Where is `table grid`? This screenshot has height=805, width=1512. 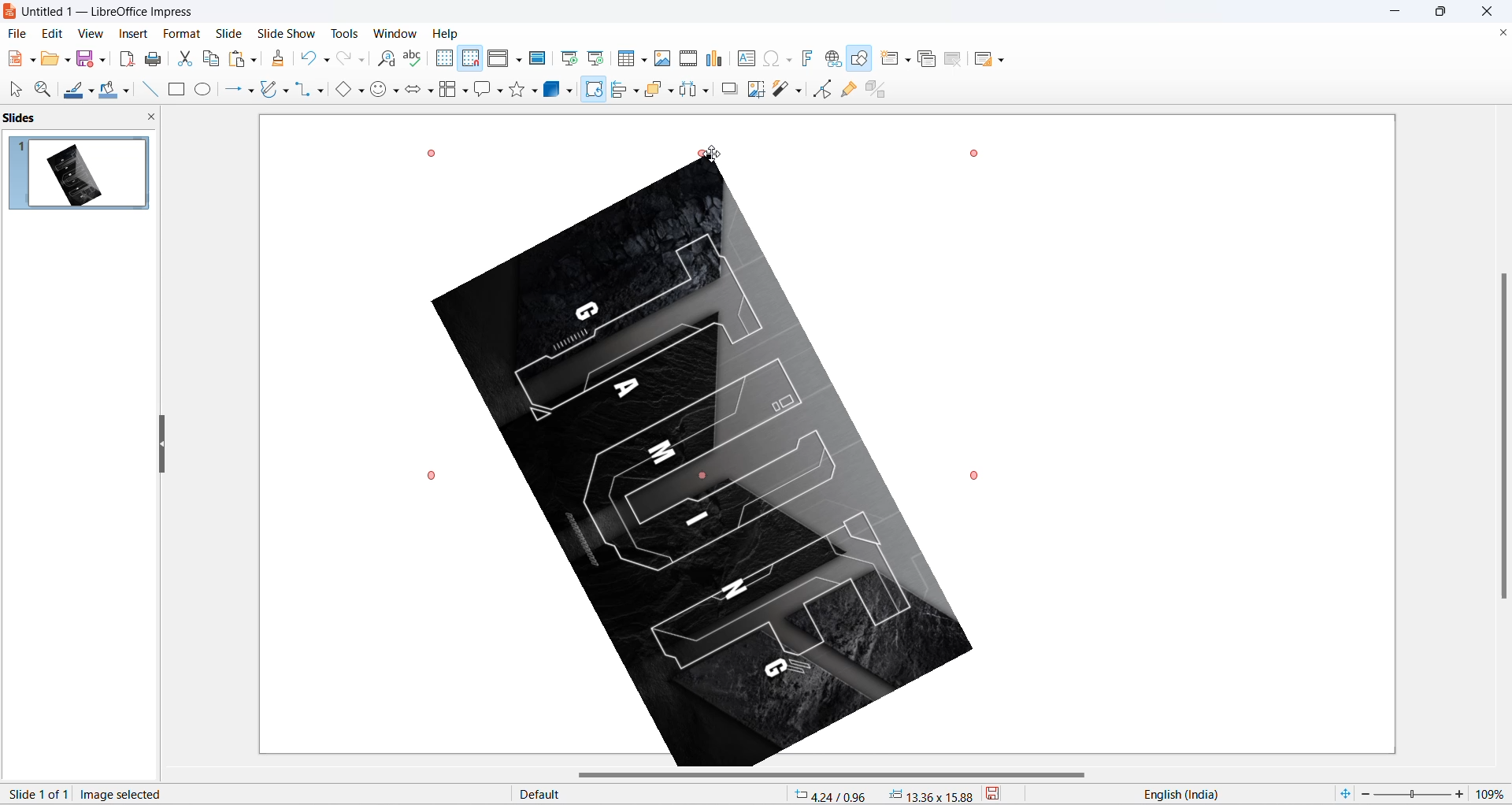
table grid is located at coordinates (645, 60).